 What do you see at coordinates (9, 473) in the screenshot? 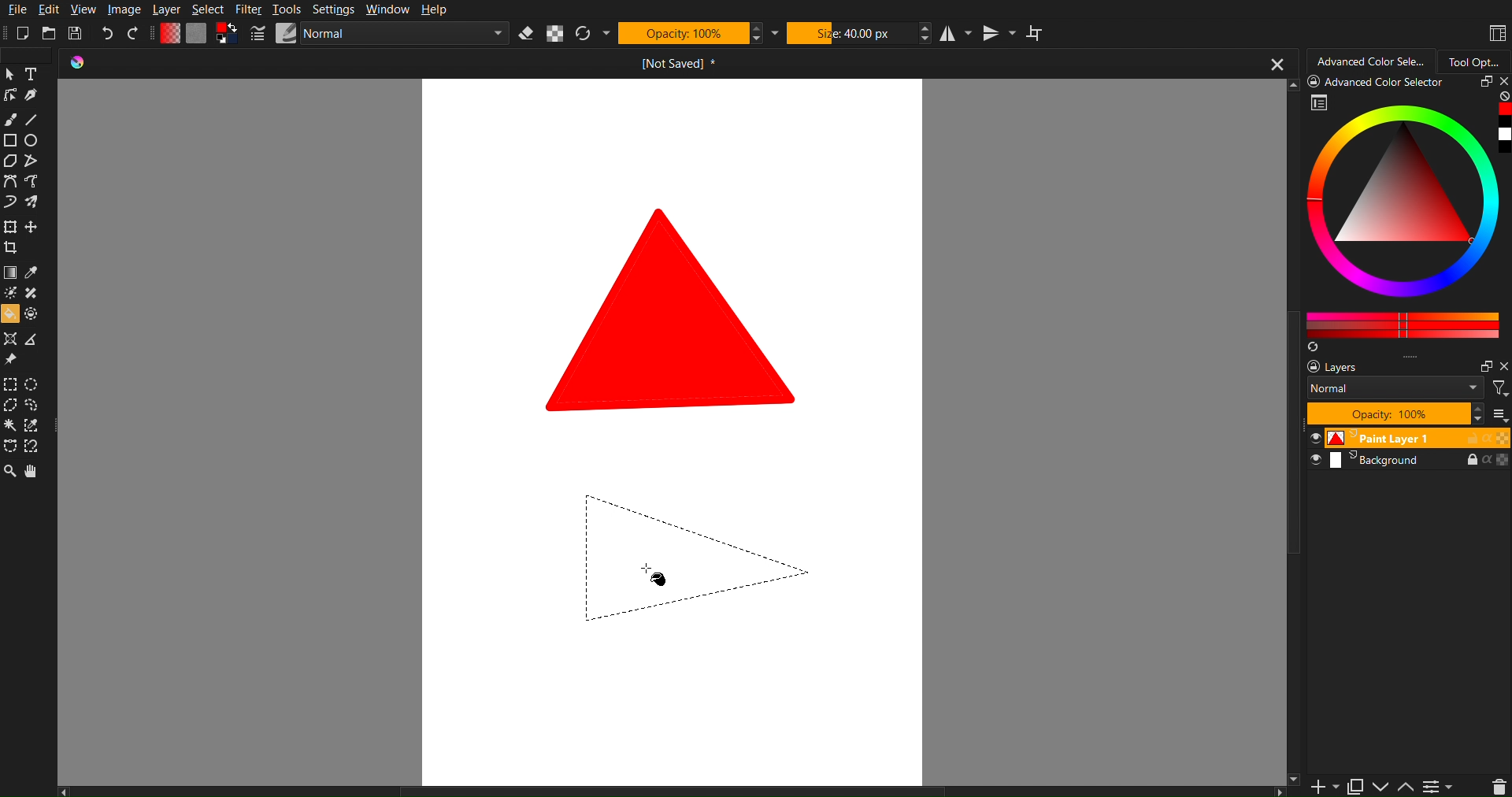
I see `Zoom` at bounding box center [9, 473].